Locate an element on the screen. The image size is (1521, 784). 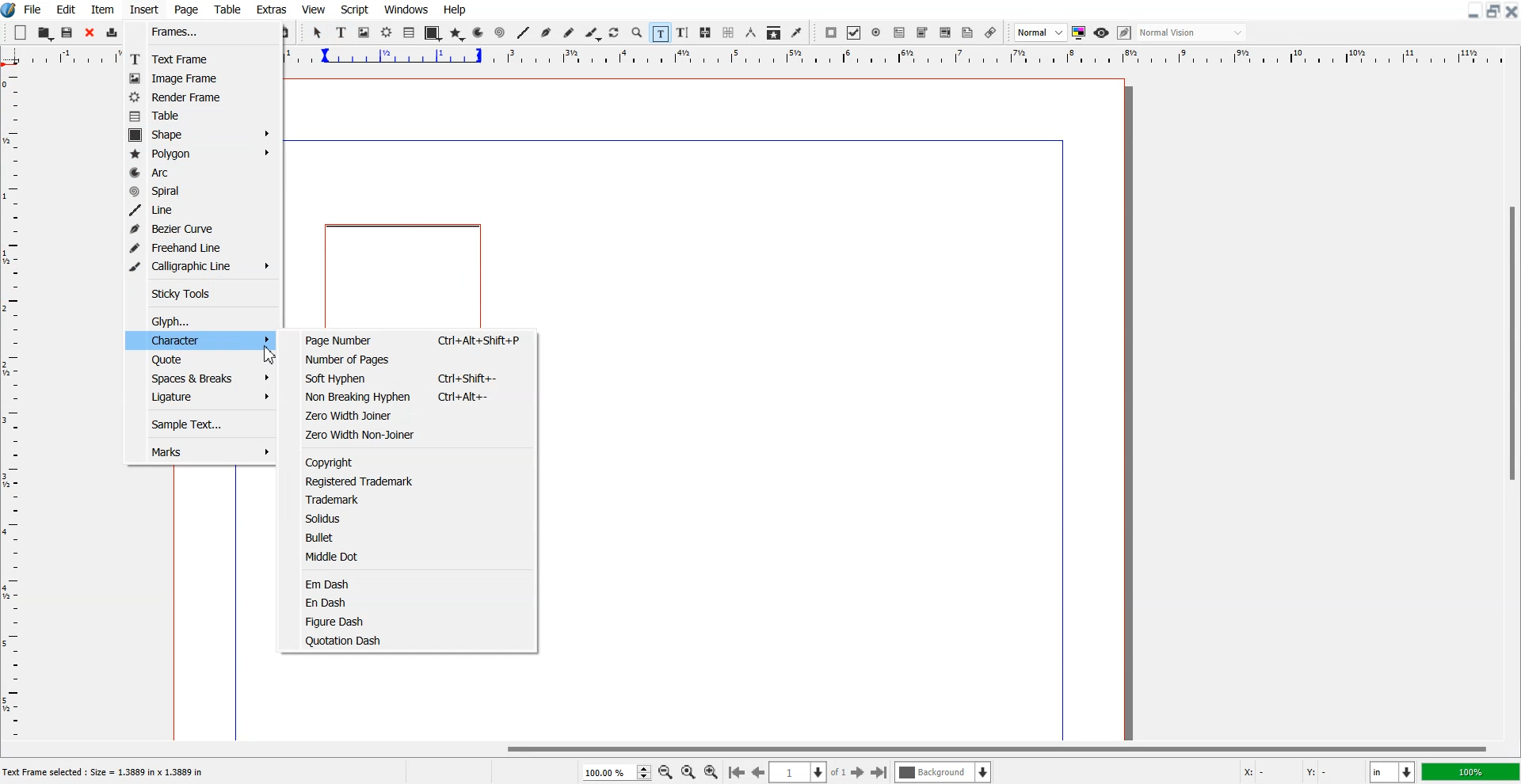
Extras is located at coordinates (272, 9).